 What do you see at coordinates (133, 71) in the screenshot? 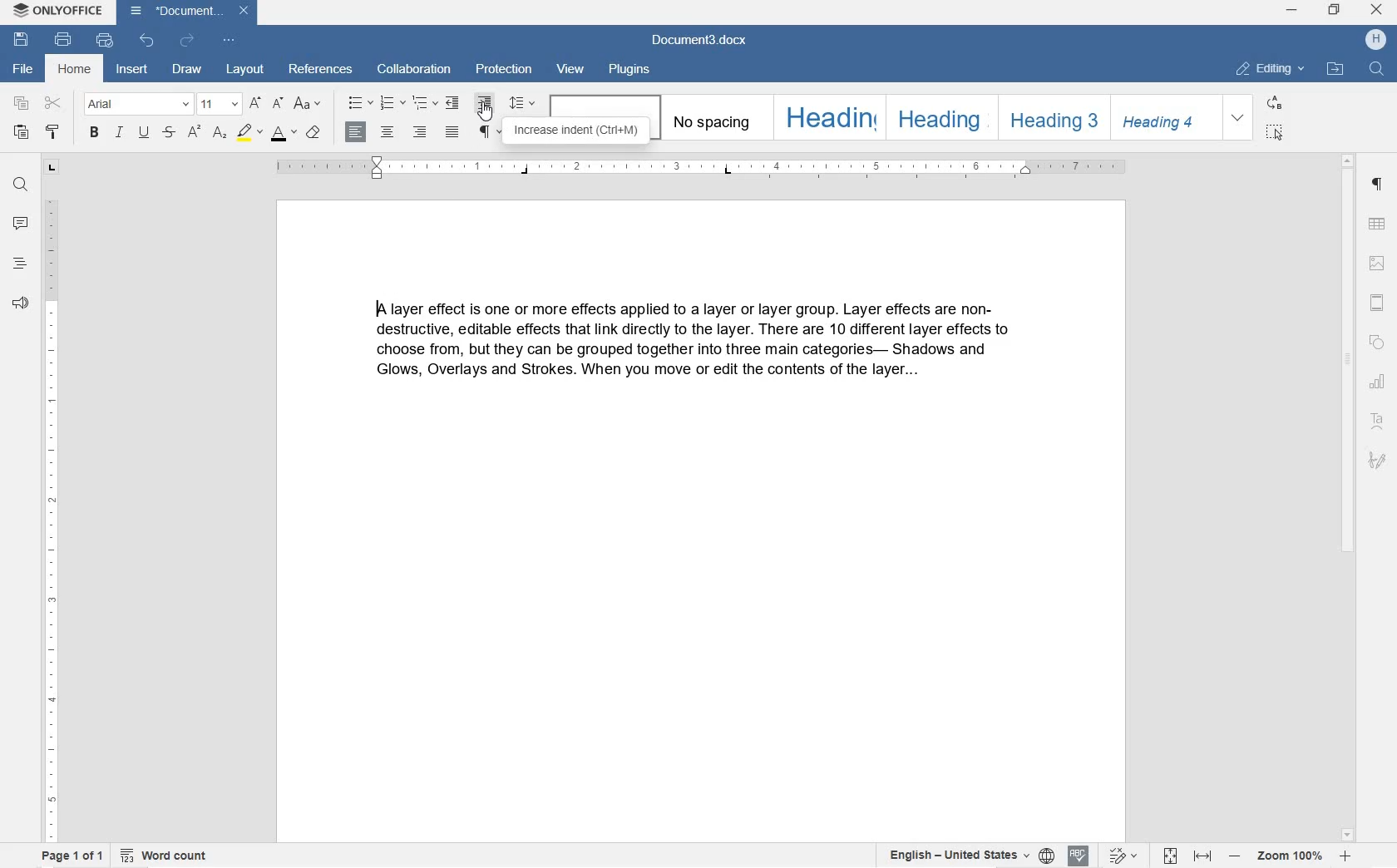
I see `INSERT` at bounding box center [133, 71].